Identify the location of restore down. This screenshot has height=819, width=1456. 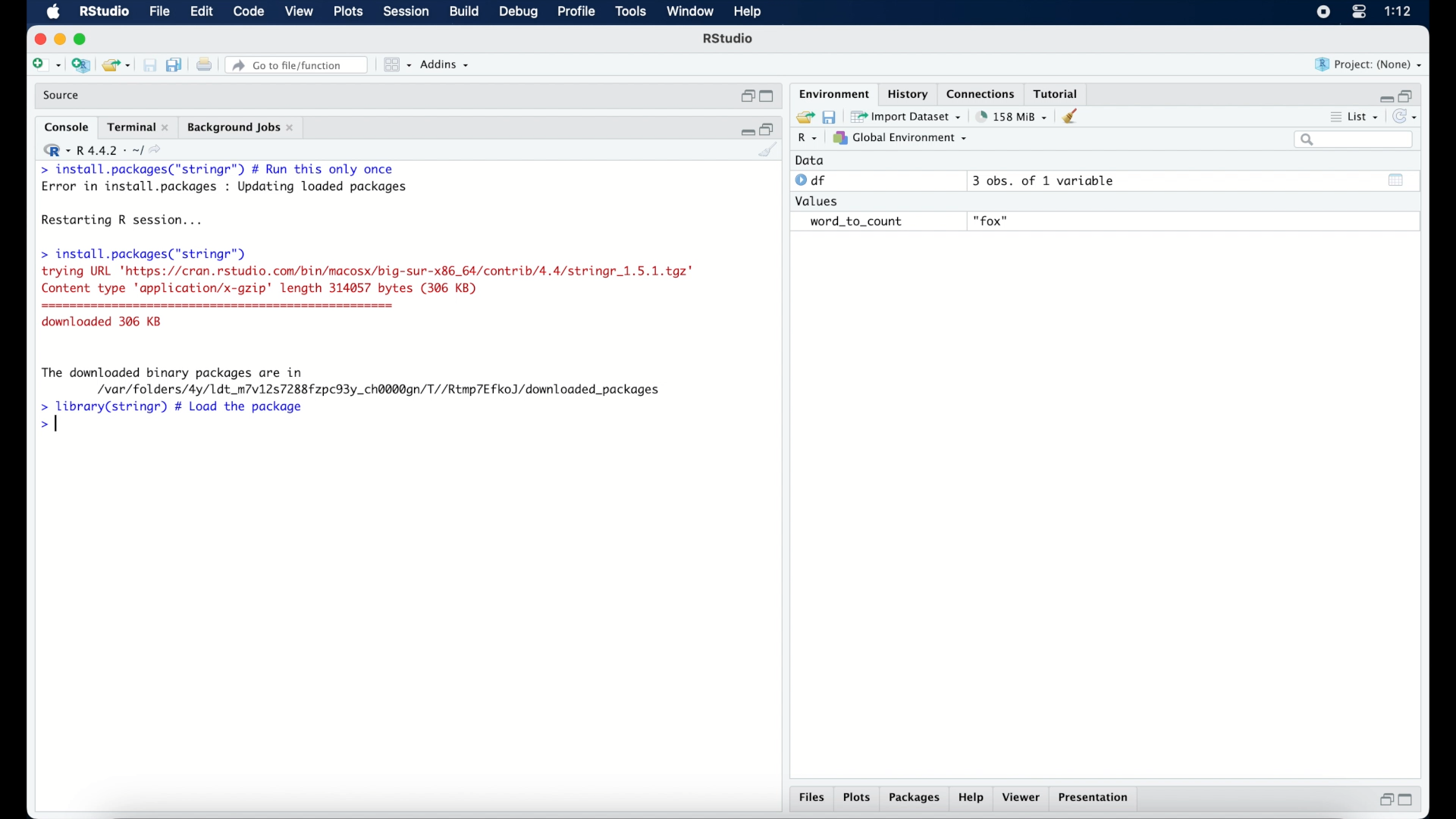
(1407, 95).